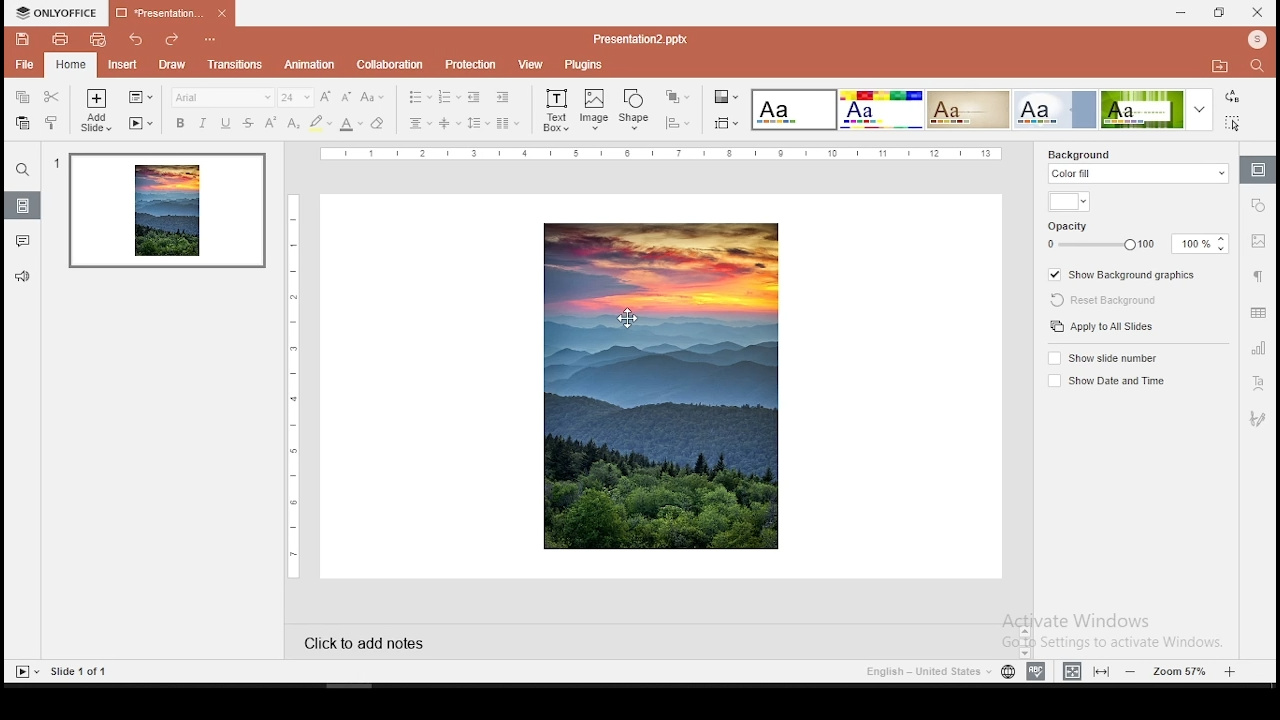 Image resolution: width=1280 pixels, height=720 pixels. Describe the element at coordinates (1258, 66) in the screenshot. I see `find` at that location.